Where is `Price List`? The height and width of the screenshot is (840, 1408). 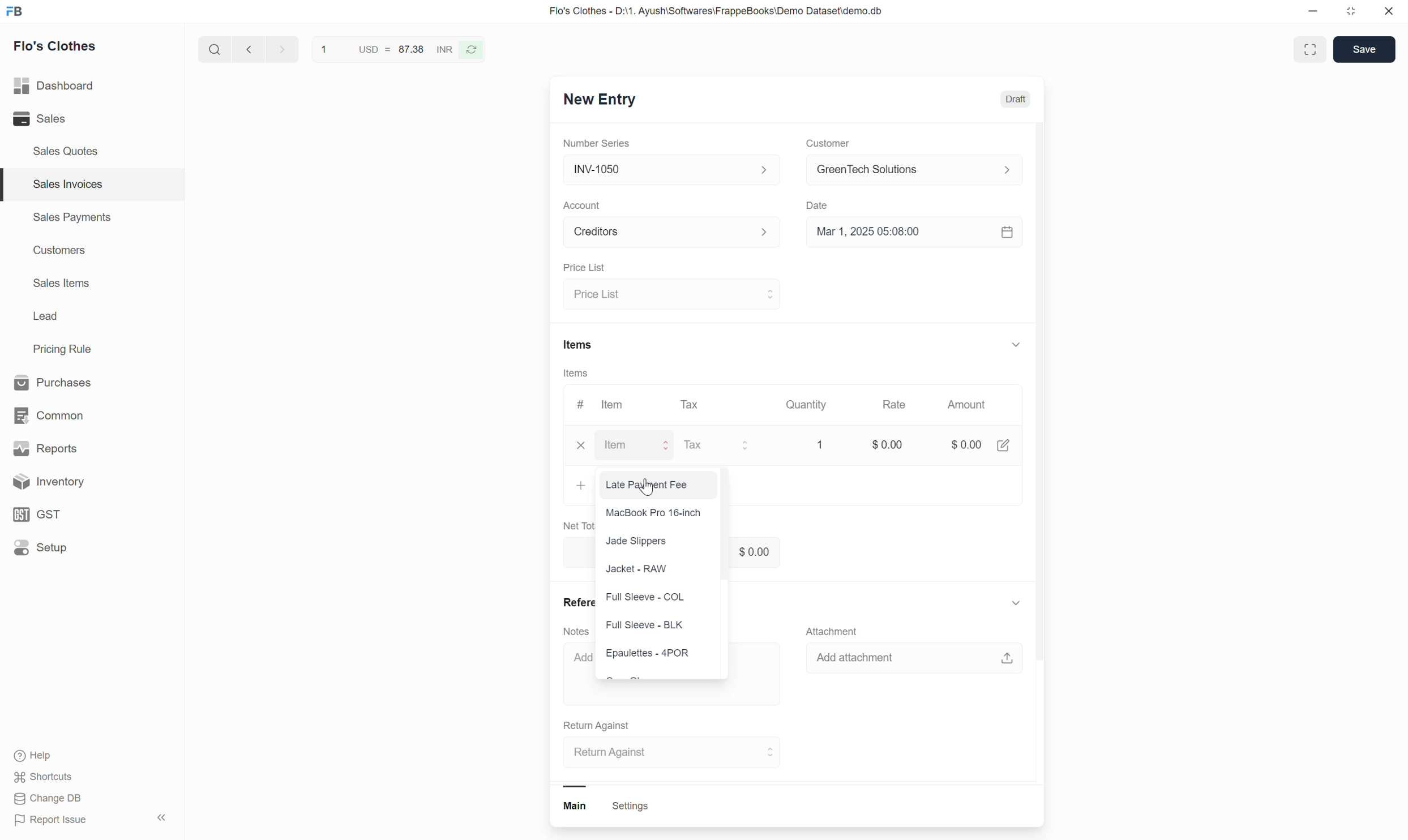 Price List is located at coordinates (582, 268).